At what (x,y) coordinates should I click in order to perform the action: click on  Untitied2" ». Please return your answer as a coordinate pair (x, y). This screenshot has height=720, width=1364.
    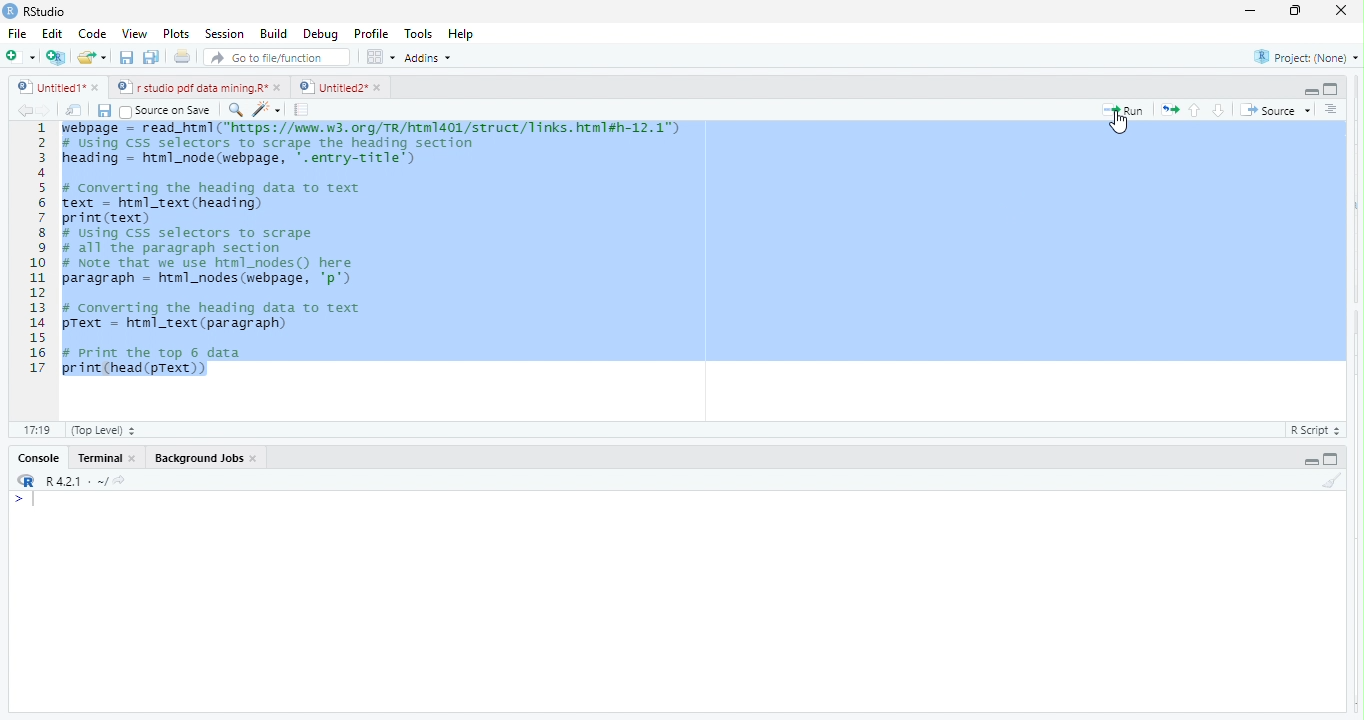
    Looking at the image, I should click on (337, 88).